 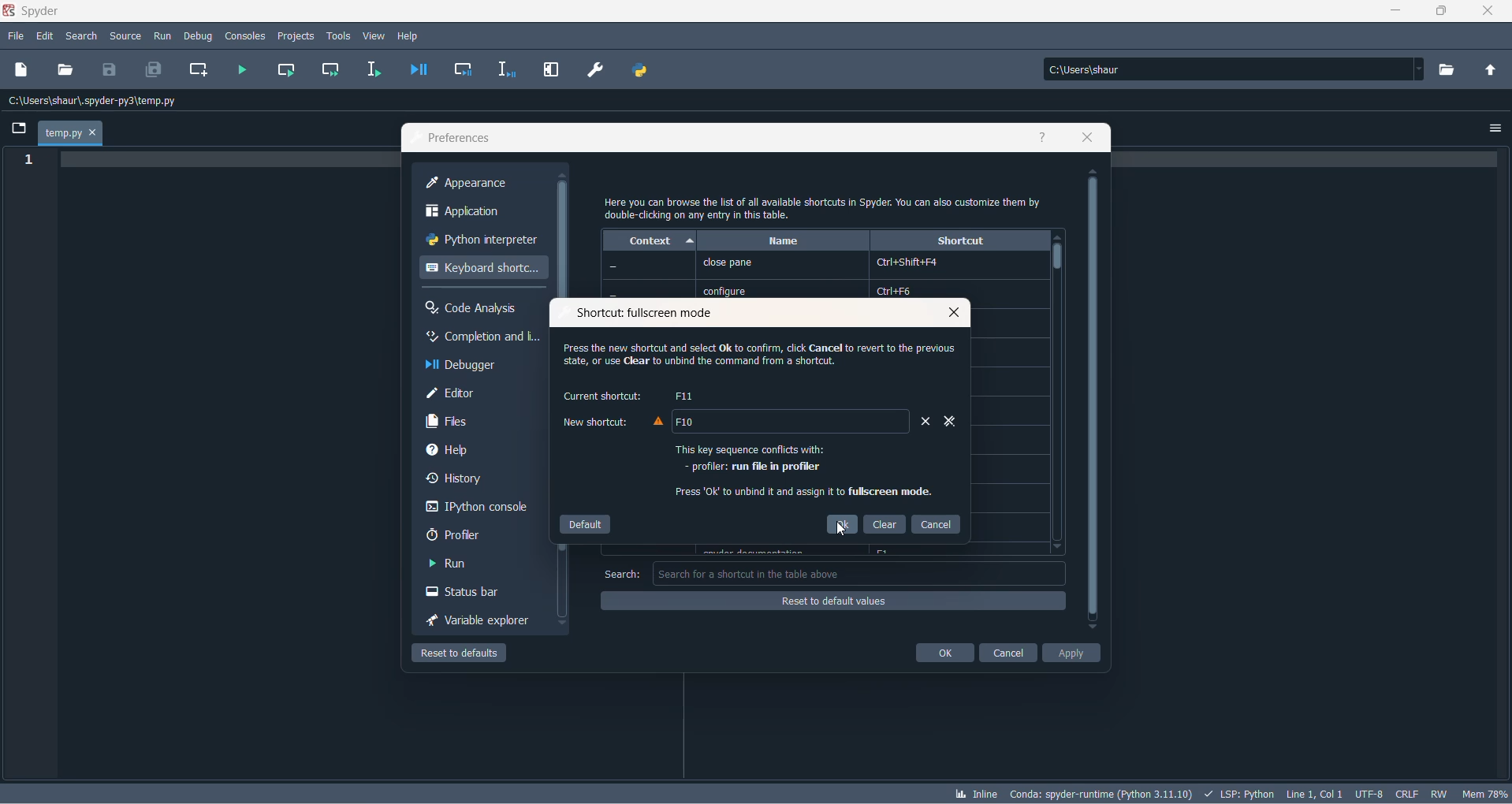 I want to click on warning sign, so click(x=655, y=422).